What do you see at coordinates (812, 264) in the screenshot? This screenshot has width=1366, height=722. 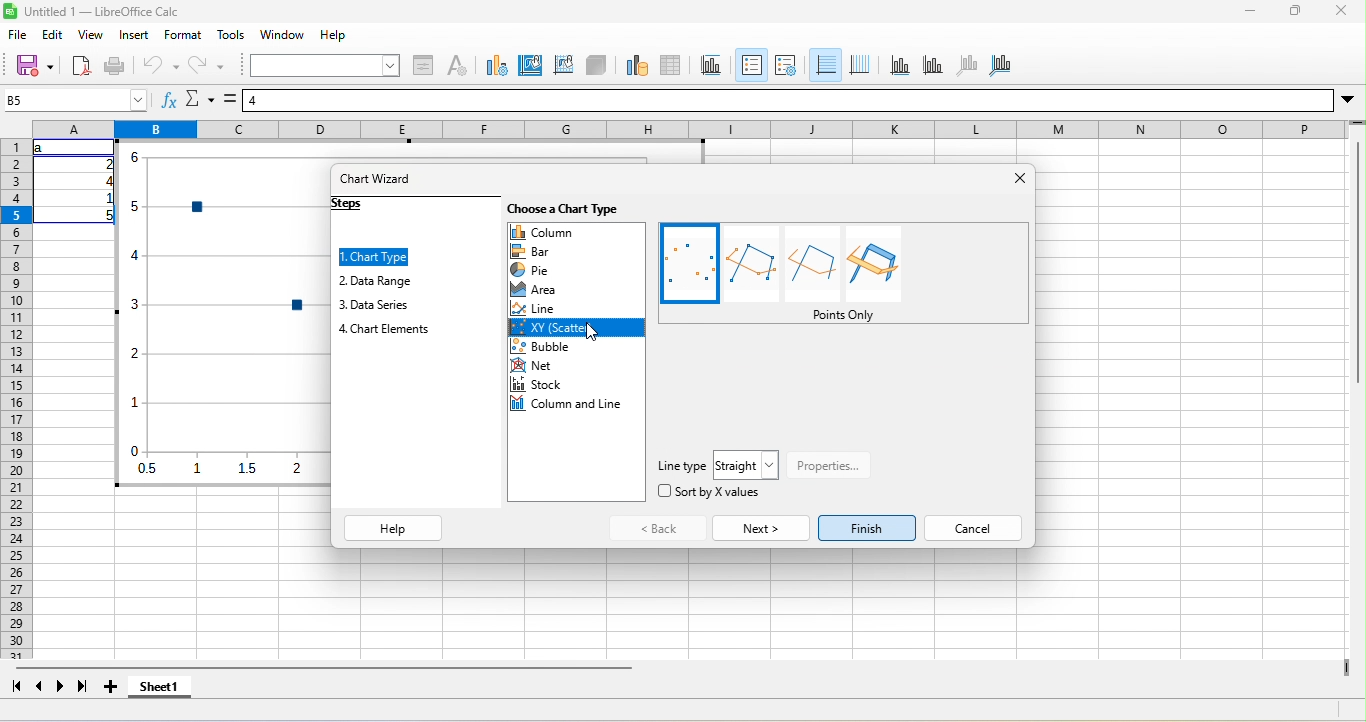 I see `lines only` at bounding box center [812, 264].